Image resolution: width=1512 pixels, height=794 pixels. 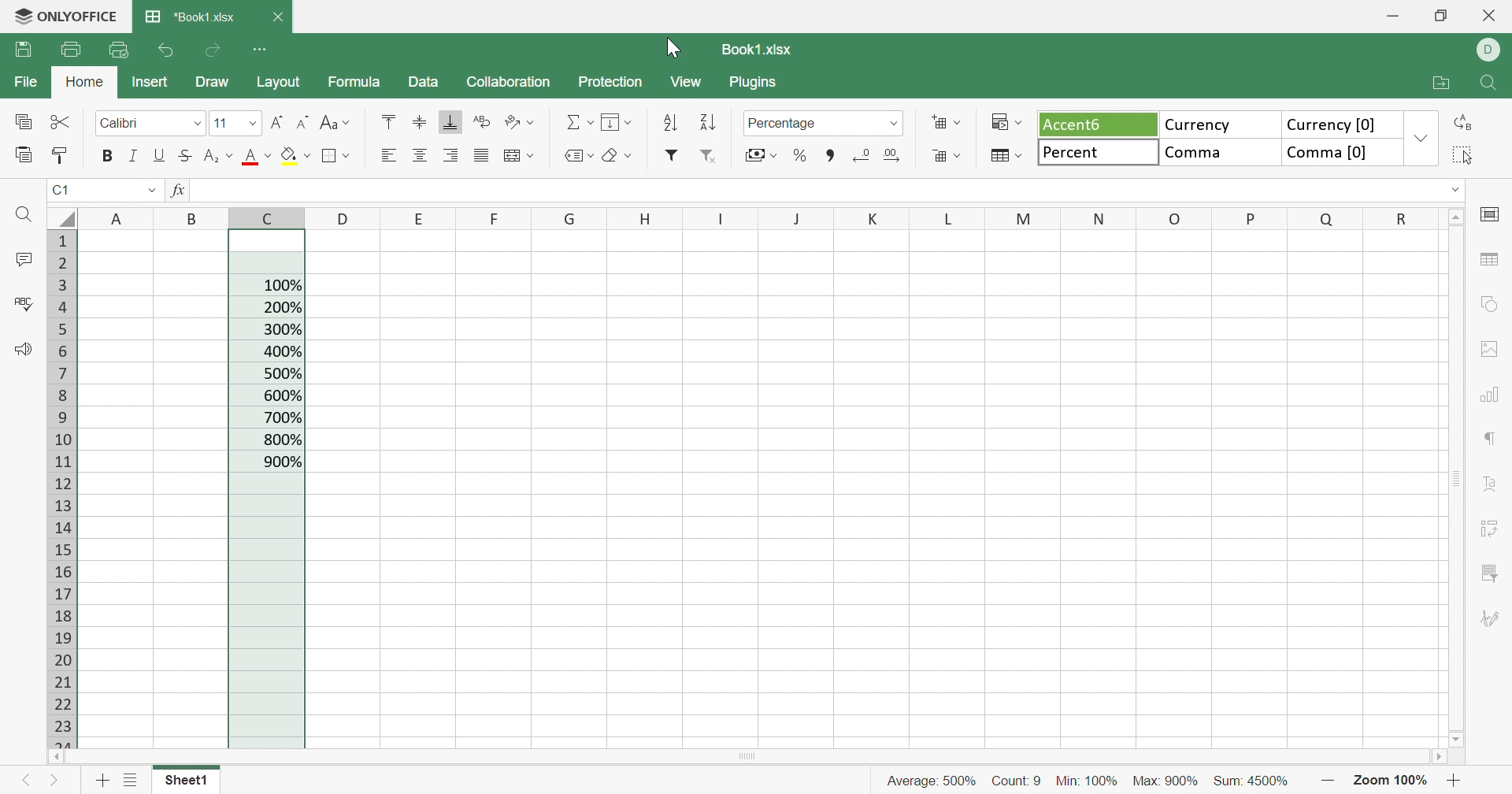 What do you see at coordinates (706, 121) in the screenshot?
I see `Descending order` at bounding box center [706, 121].